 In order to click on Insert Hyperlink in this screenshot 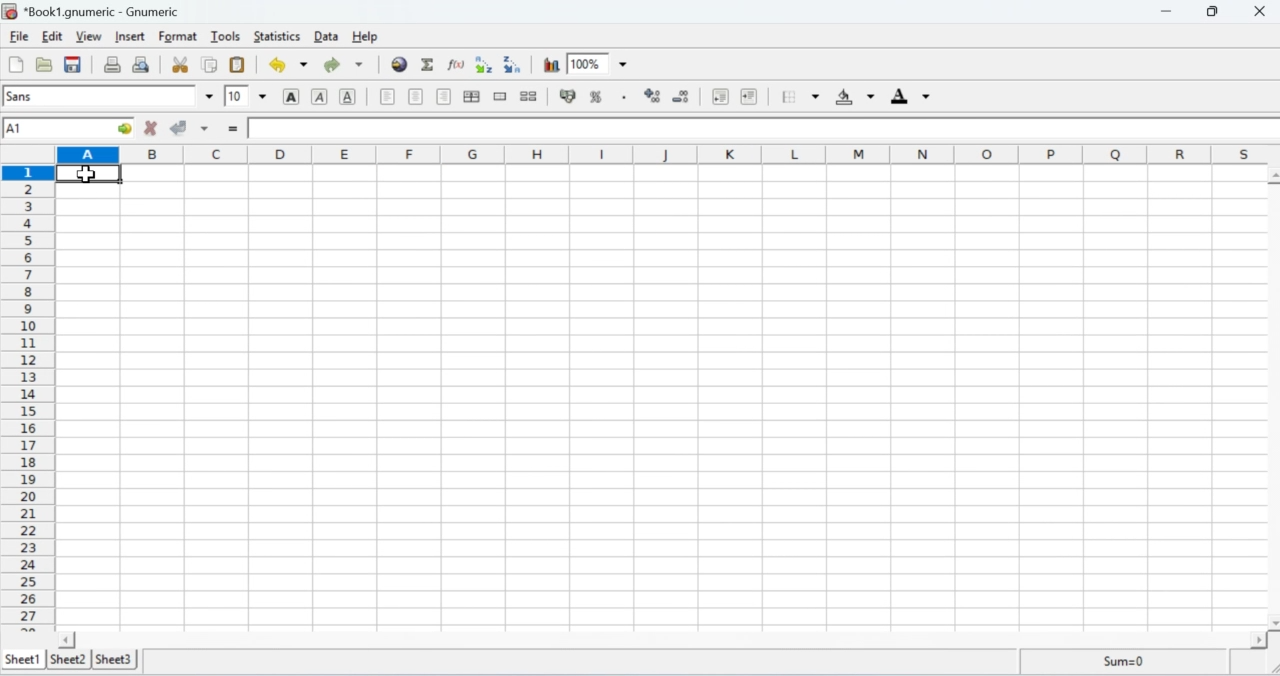, I will do `click(400, 64)`.